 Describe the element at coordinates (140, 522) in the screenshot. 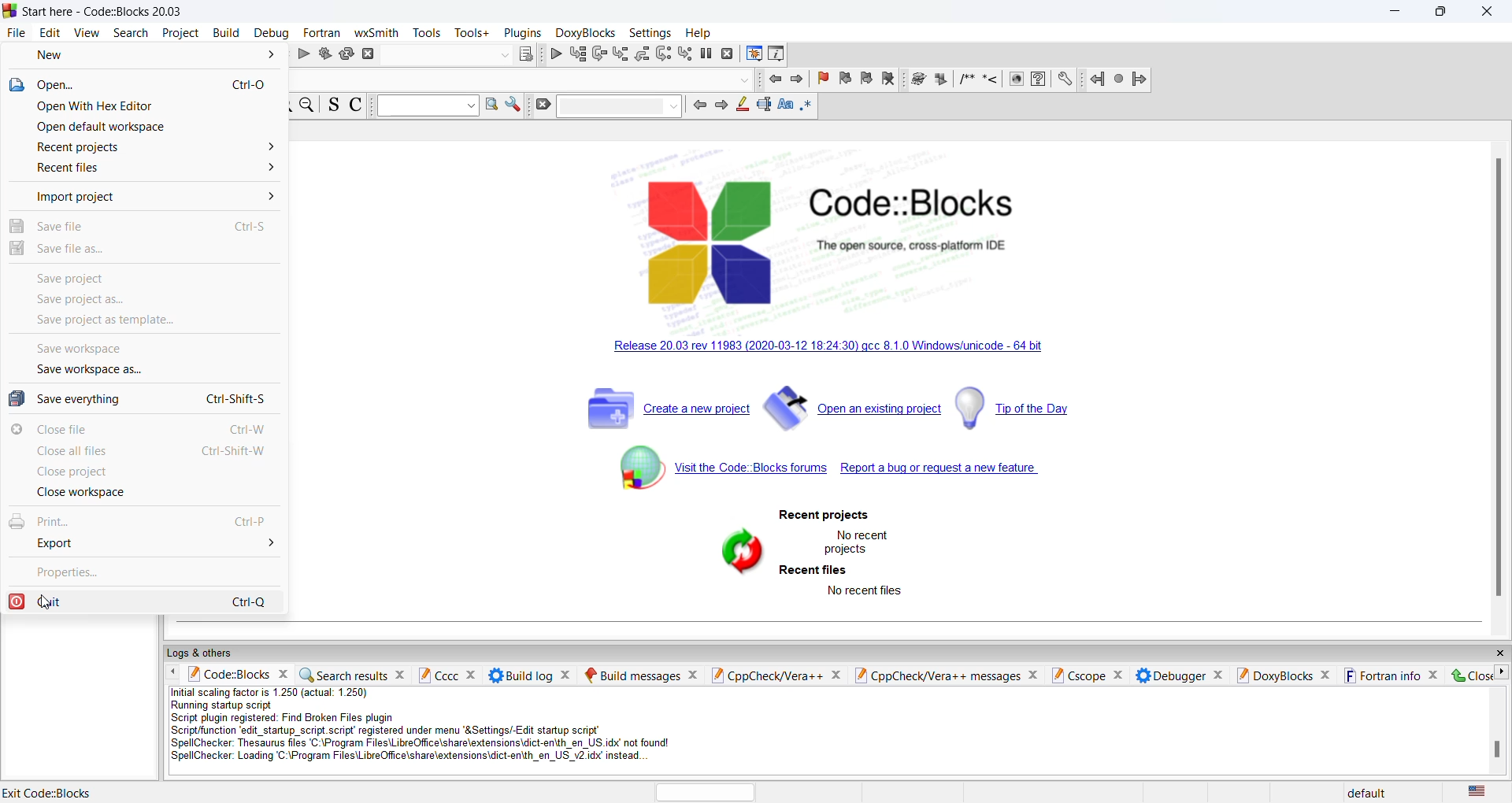

I see `print` at that location.